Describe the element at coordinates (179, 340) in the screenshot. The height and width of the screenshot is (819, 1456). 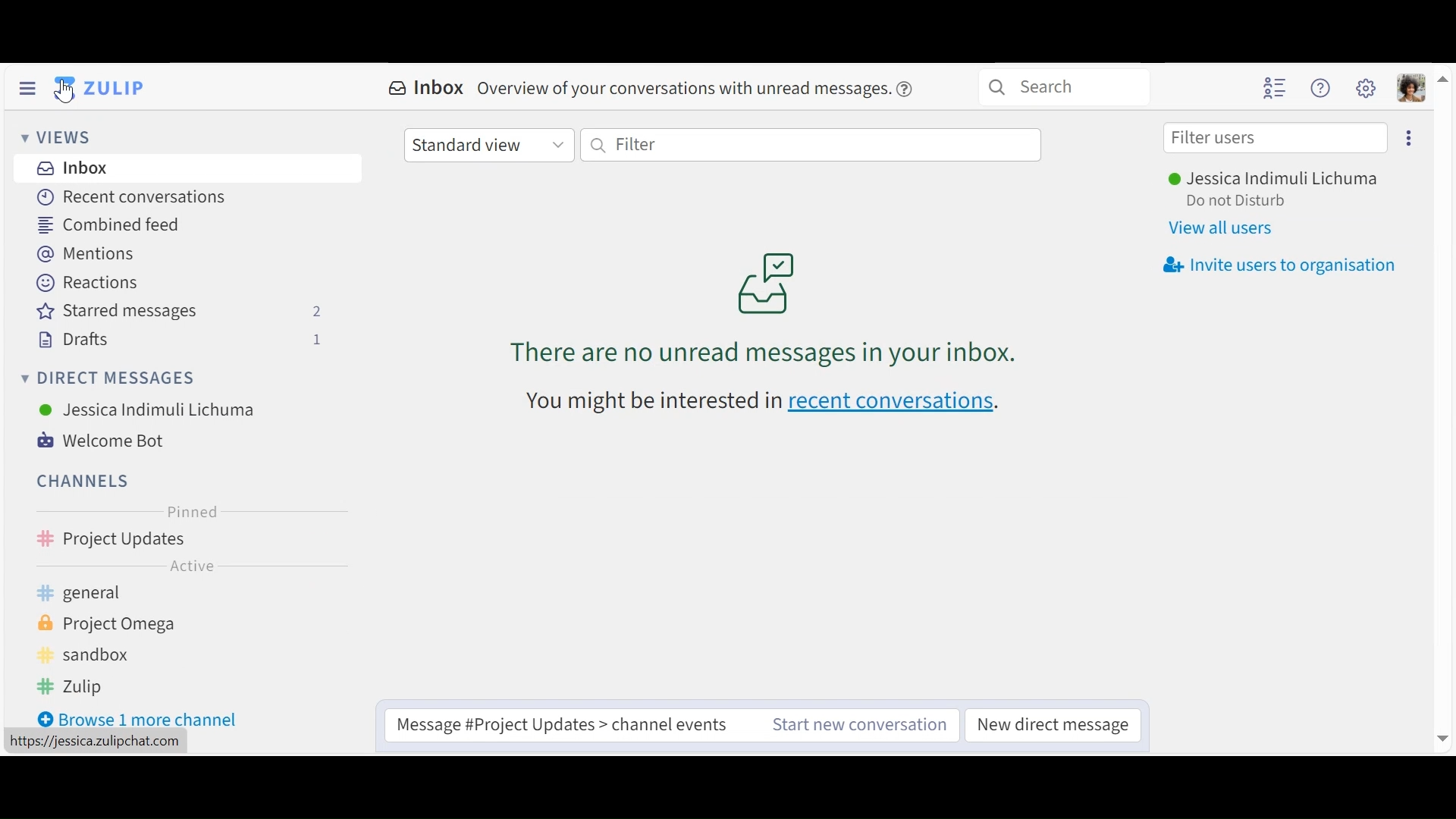
I see `Drafts` at that location.